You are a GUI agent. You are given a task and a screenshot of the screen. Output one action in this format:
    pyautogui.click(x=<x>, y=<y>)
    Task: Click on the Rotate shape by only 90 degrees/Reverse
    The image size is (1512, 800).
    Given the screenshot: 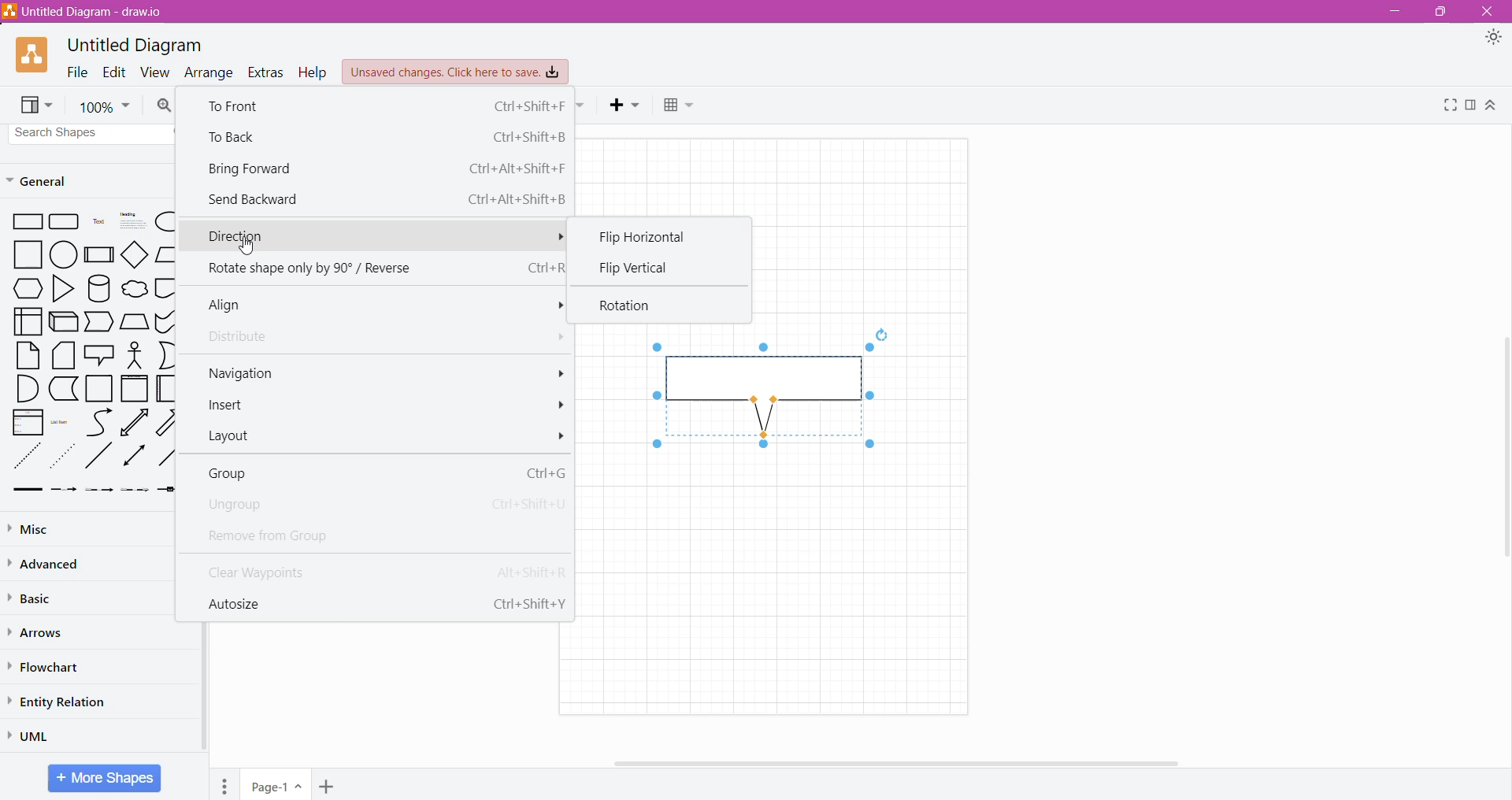 What is the action you would take?
    pyautogui.click(x=381, y=269)
    